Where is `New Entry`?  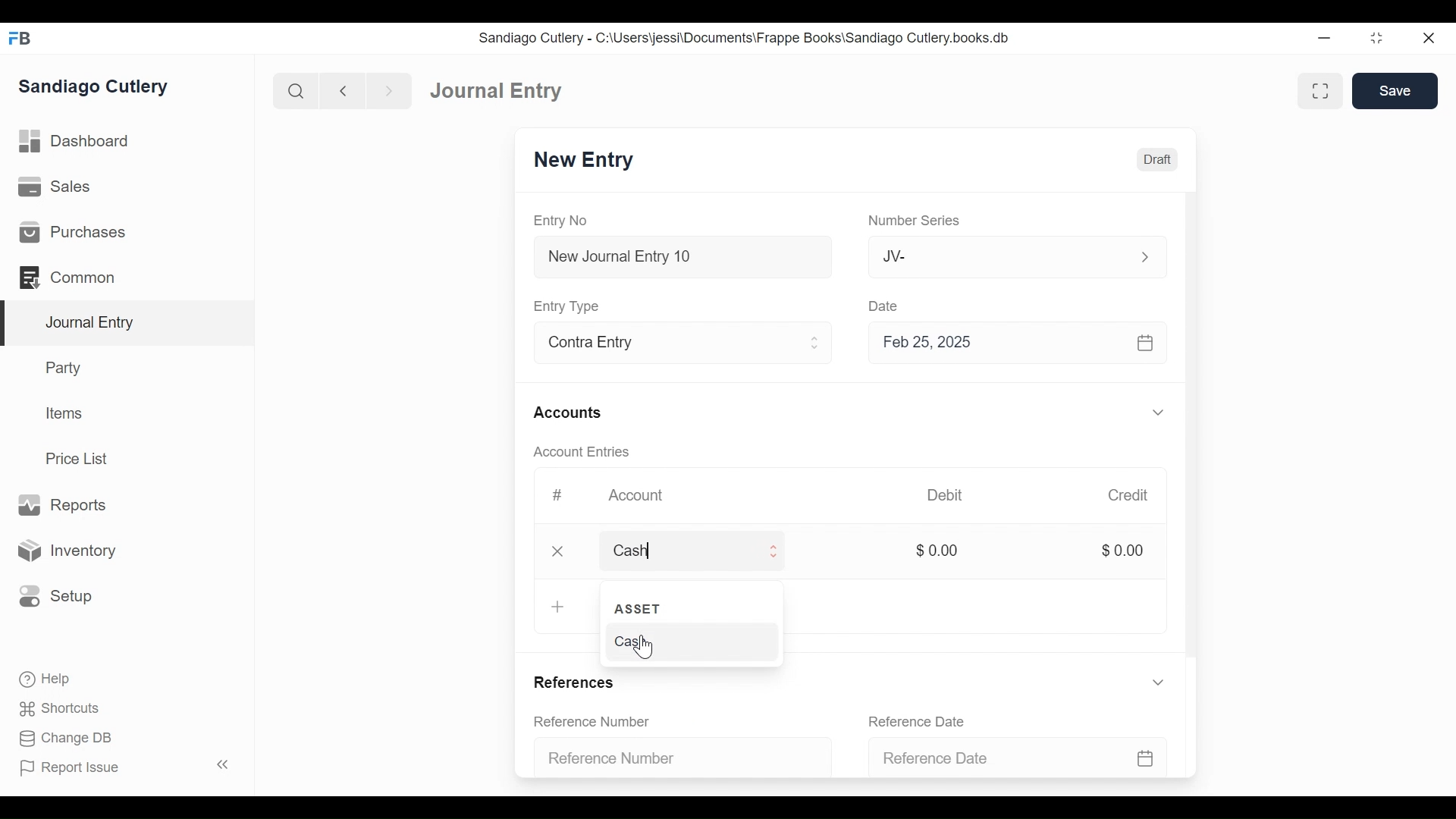
New Entry is located at coordinates (588, 162).